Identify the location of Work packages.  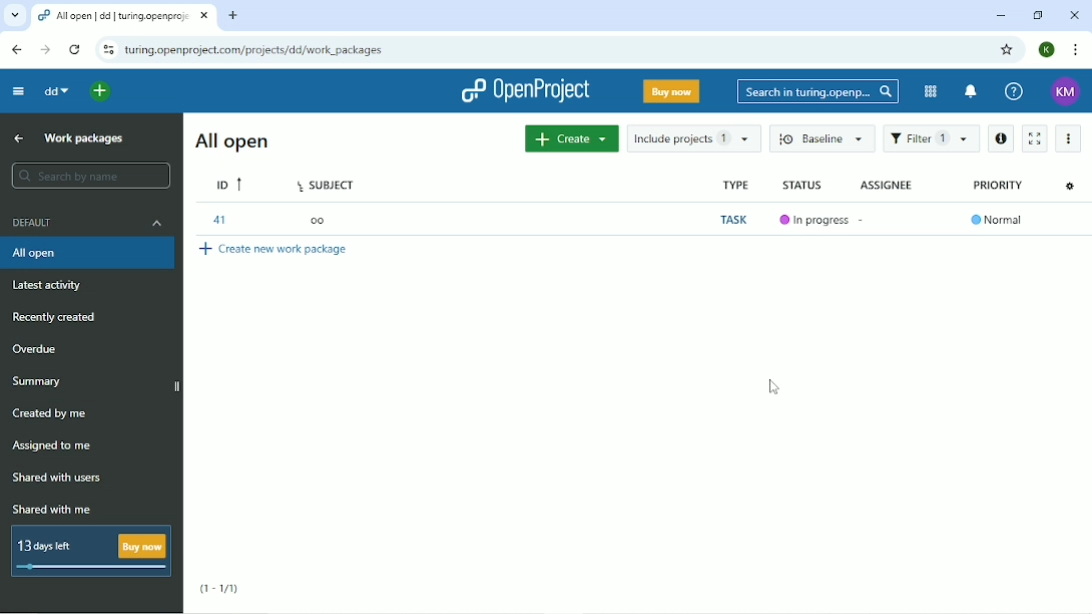
(85, 138).